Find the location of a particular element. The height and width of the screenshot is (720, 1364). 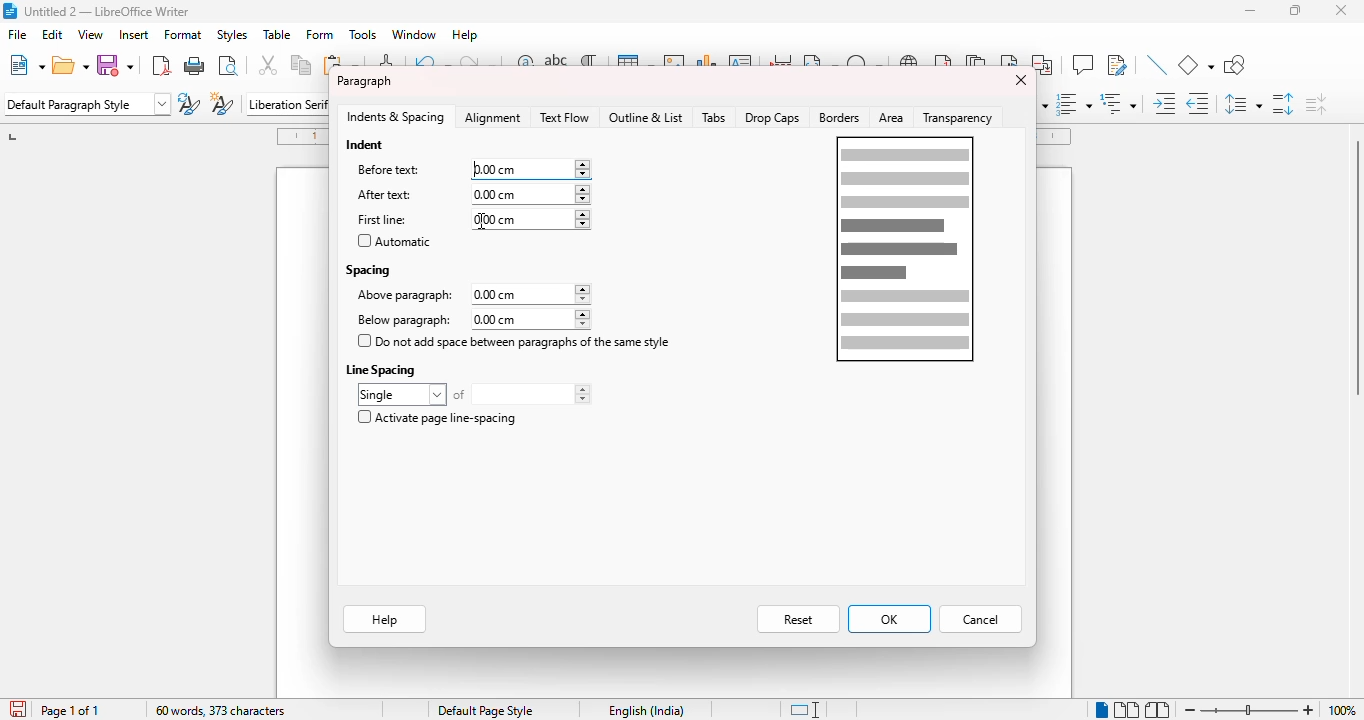

toggle print preview is located at coordinates (228, 65).